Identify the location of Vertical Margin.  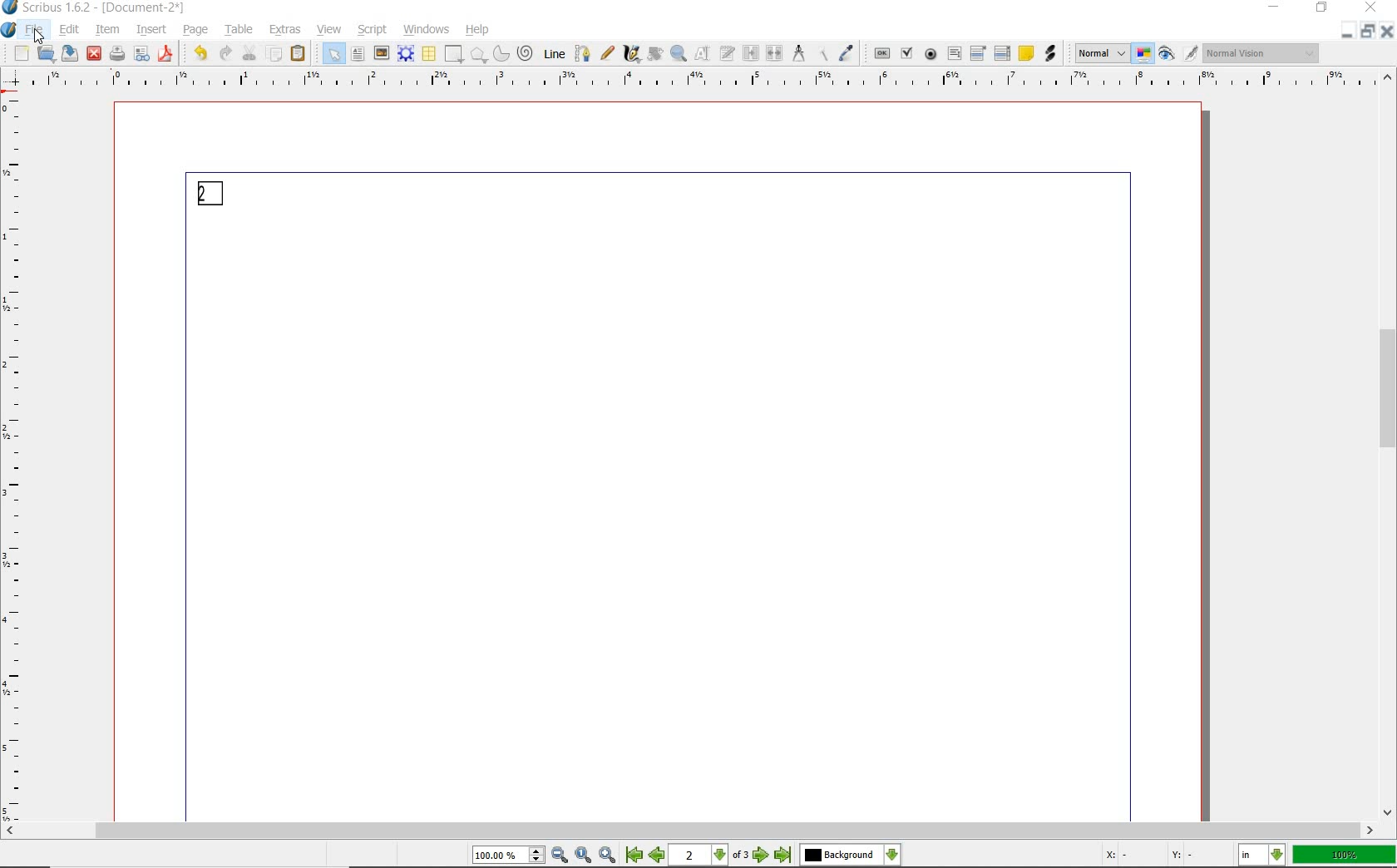
(16, 459).